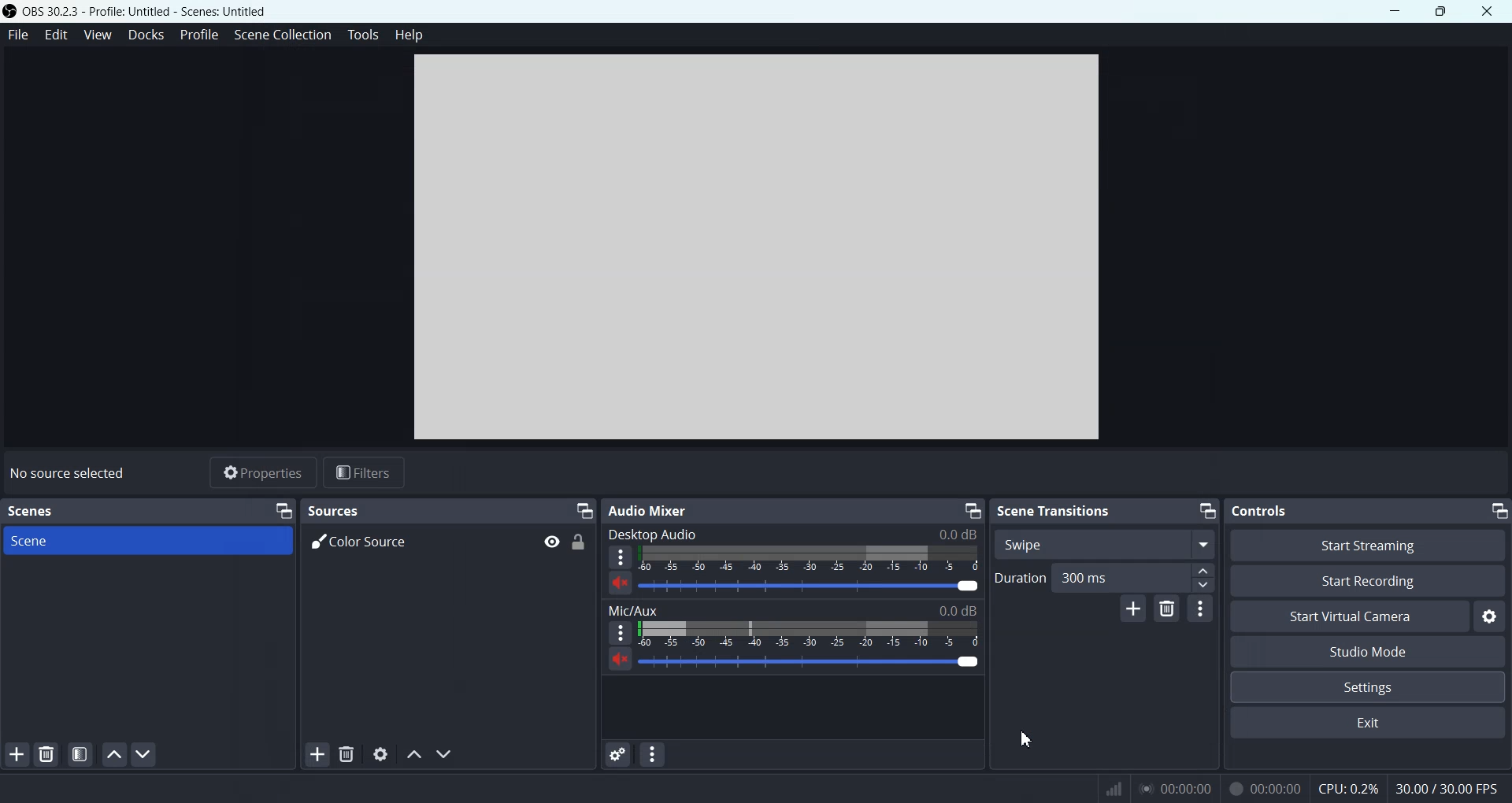  I want to click on Add Scene, so click(16, 754).